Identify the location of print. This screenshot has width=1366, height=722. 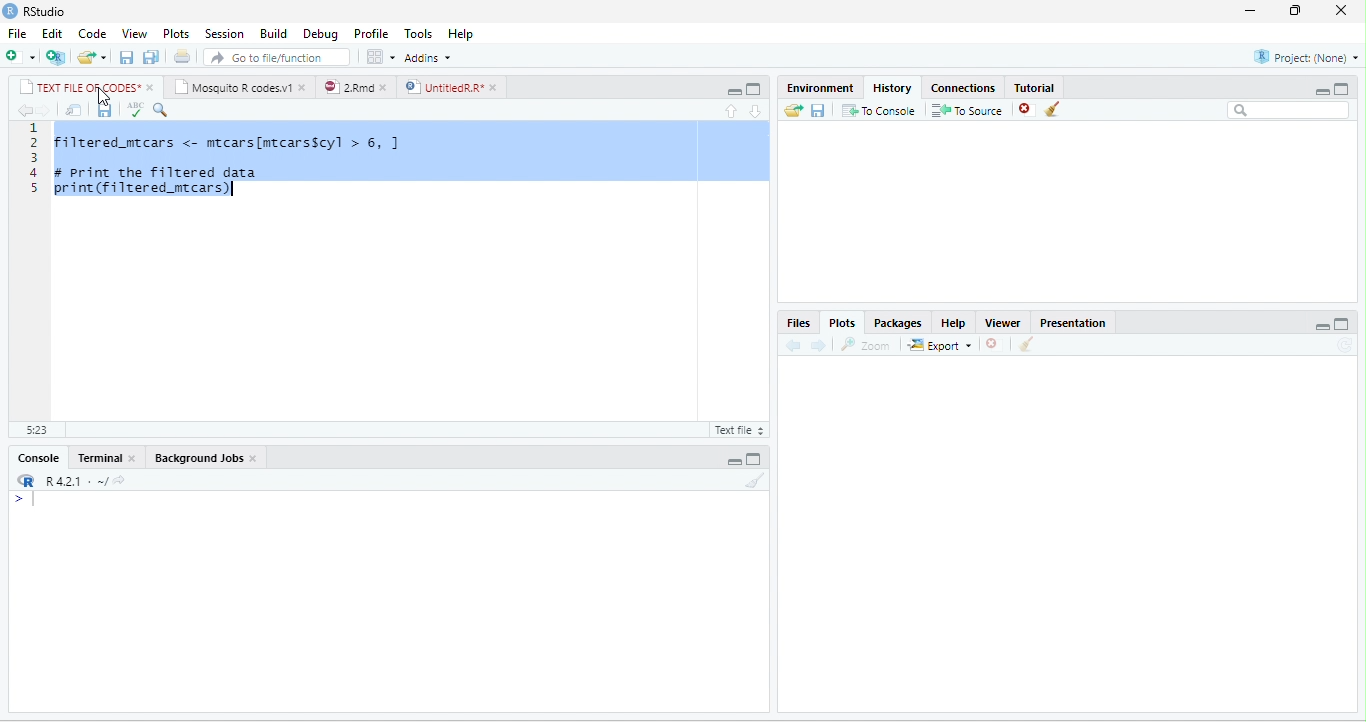
(182, 56).